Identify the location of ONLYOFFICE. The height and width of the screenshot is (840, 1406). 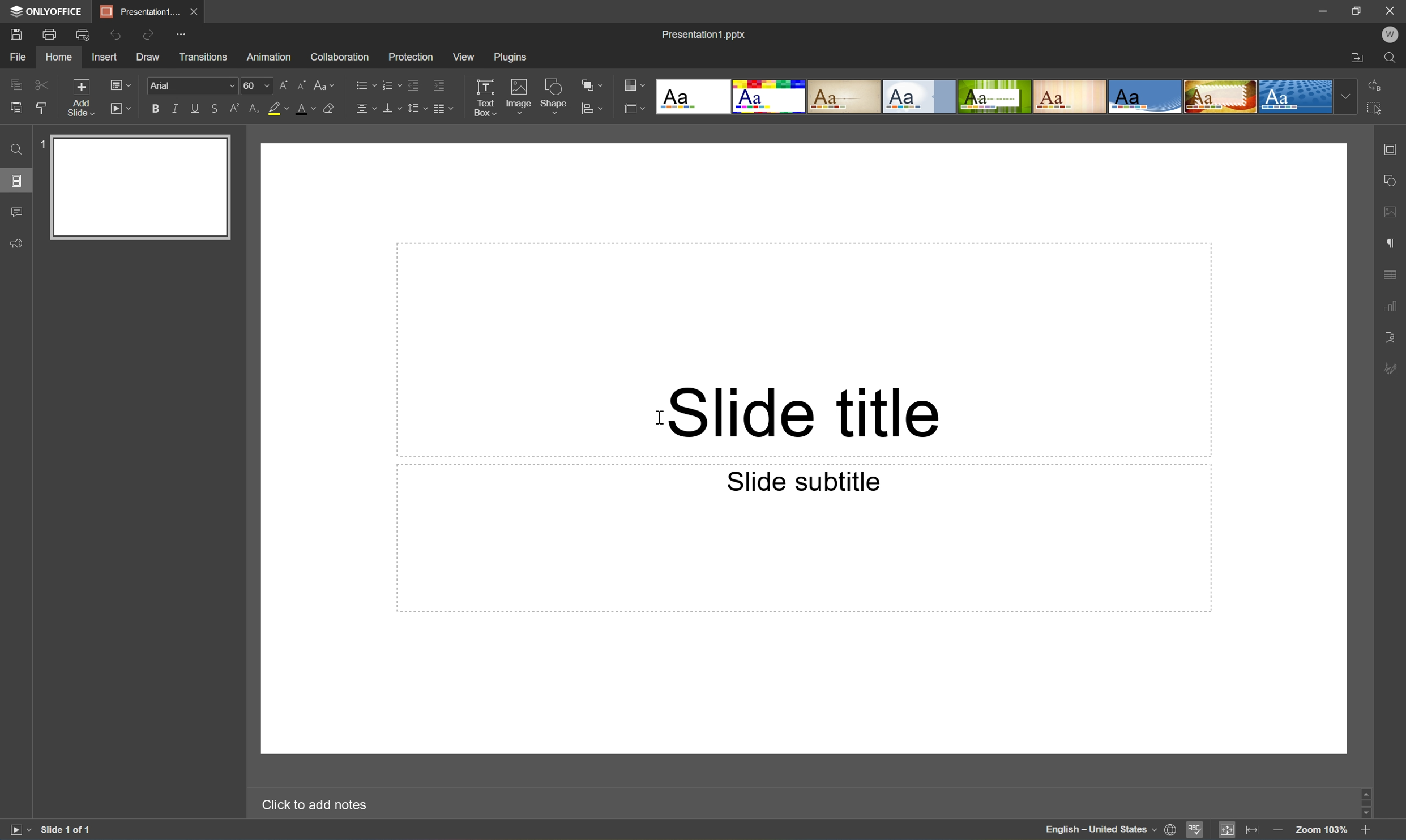
(46, 11).